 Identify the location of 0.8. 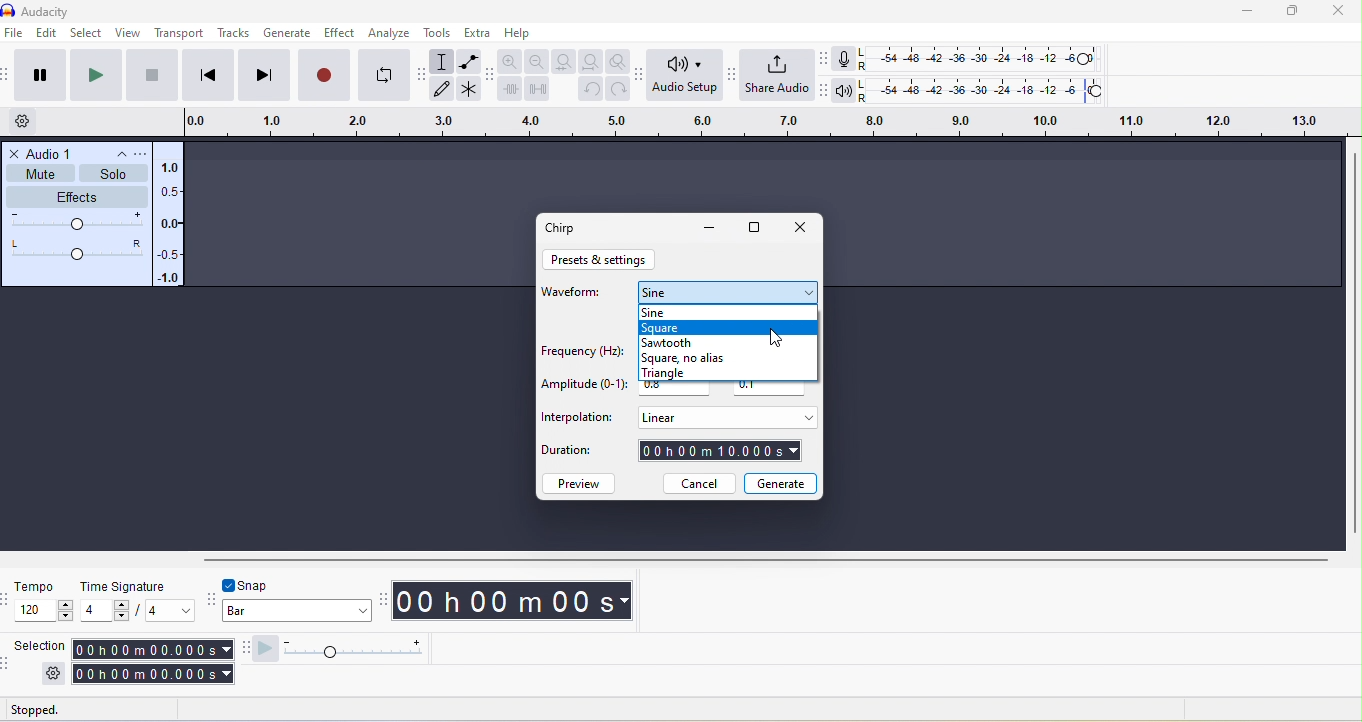
(673, 390).